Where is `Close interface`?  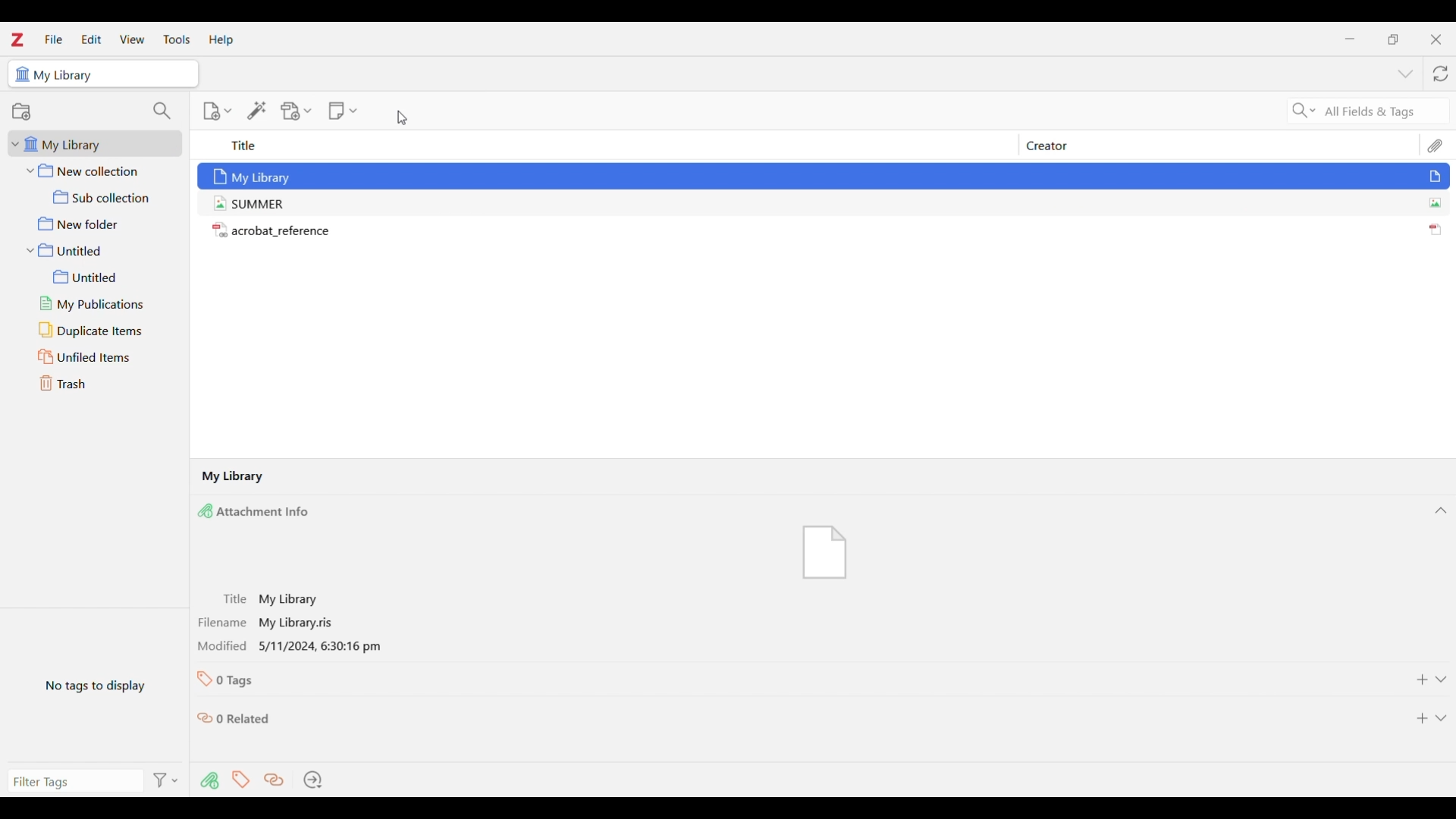
Close interface is located at coordinates (1436, 39).